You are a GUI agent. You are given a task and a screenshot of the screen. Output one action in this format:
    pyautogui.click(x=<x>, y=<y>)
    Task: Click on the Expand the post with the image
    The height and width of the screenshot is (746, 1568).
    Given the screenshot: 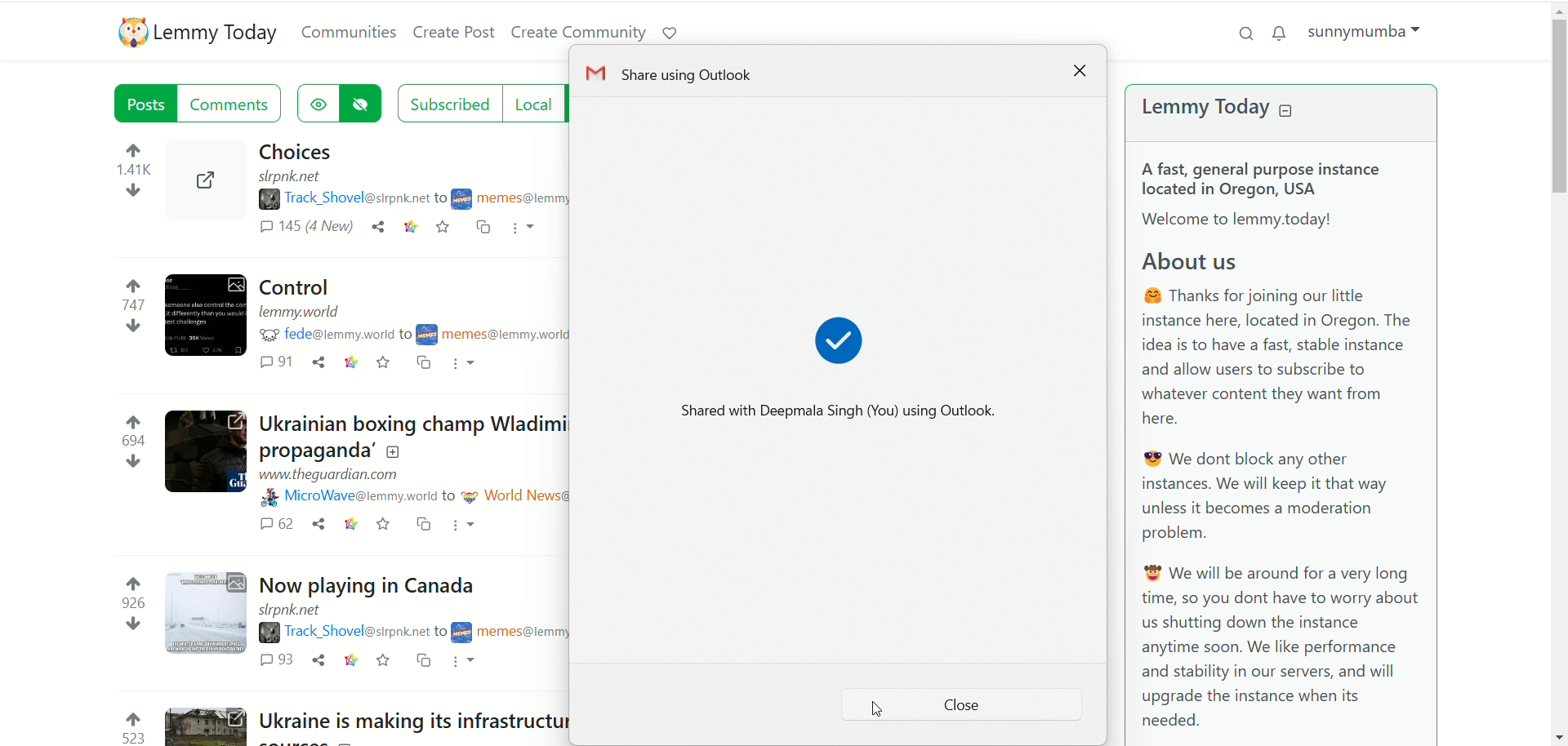 What is the action you would take?
    pyautogui.click(x=205, y=181)
    